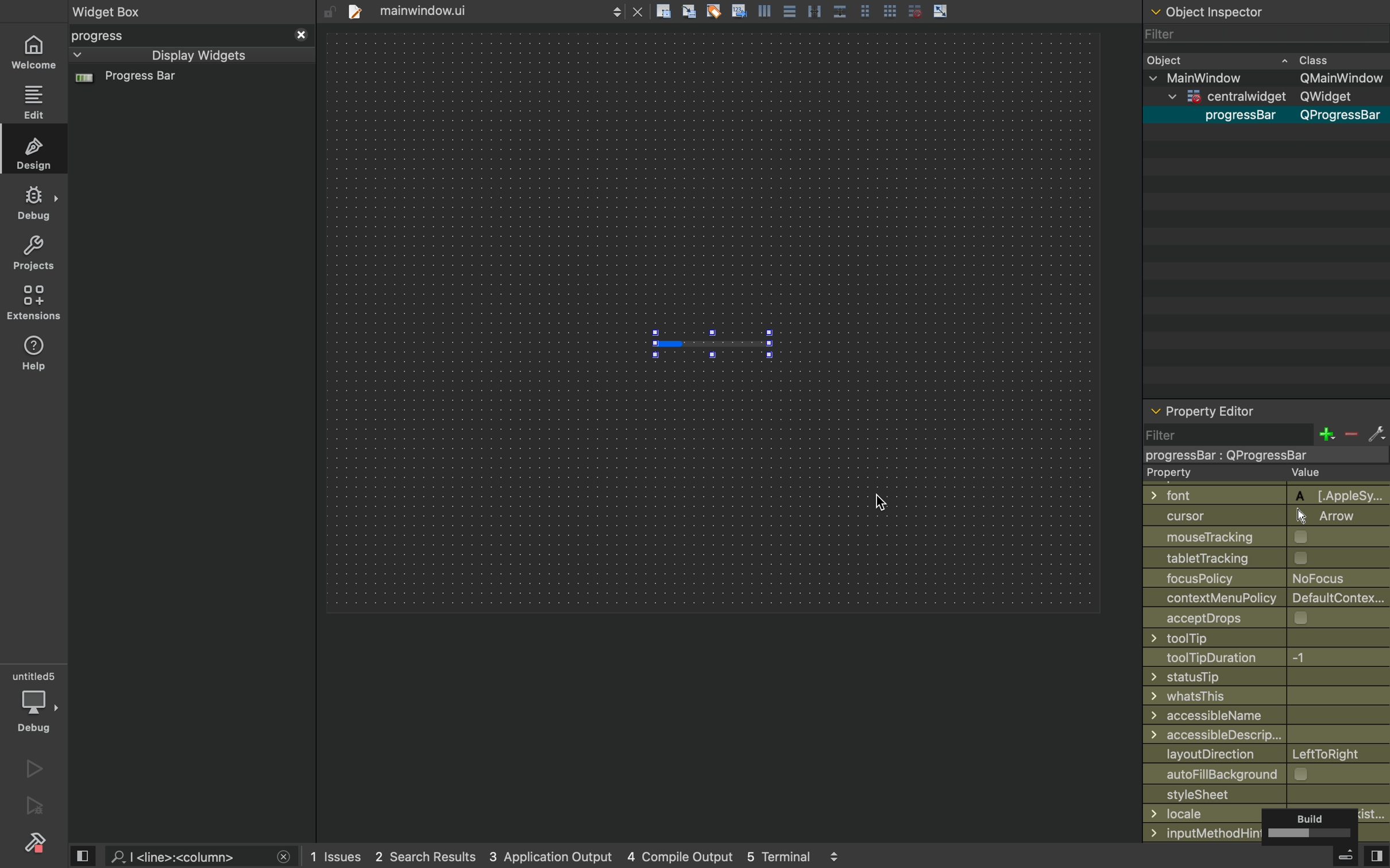 The image size is (1390, 868). Describe the element at coordinates (1334, 858) in the screenshot. I see `hide sidebar` at that location.